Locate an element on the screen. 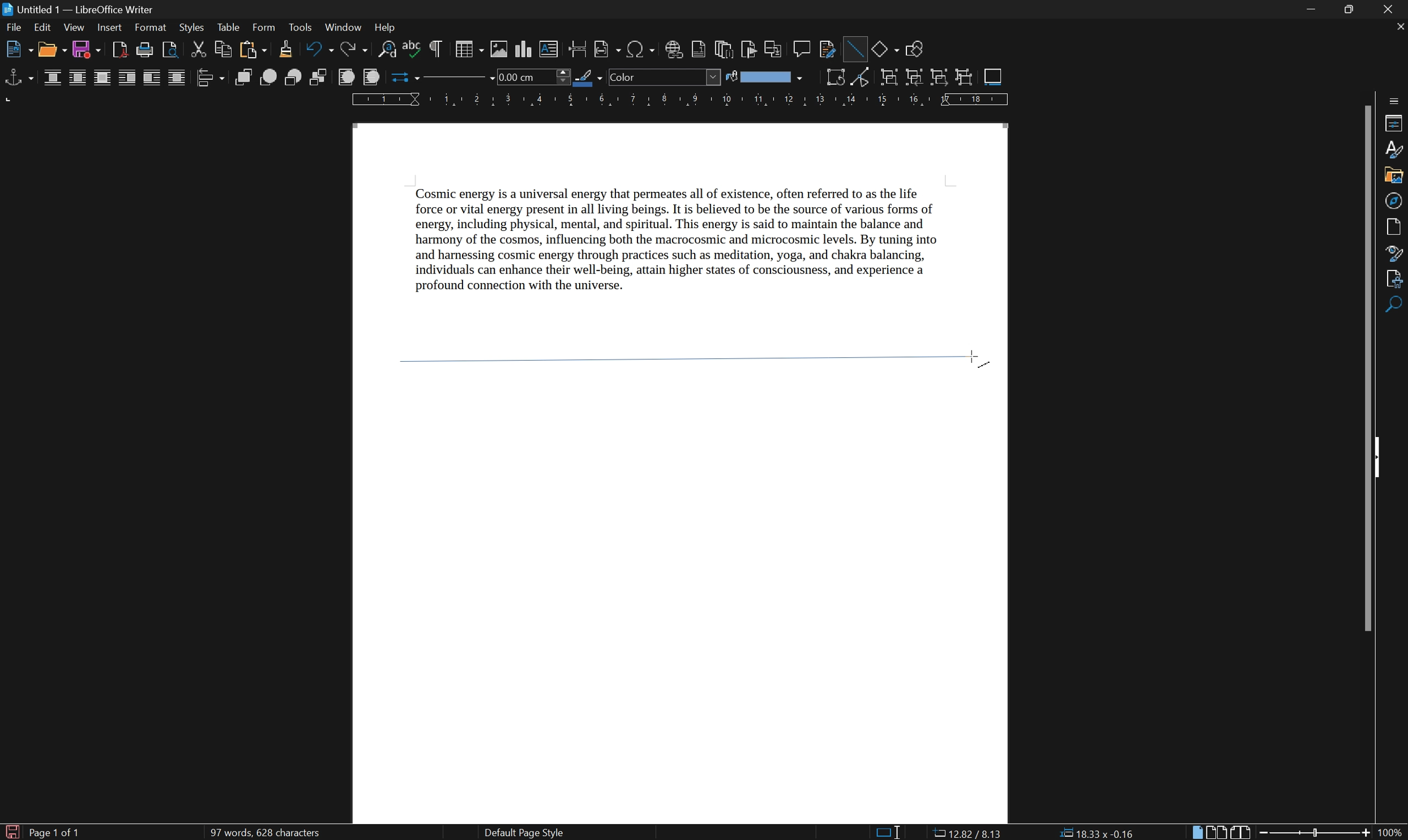  insert is located at coordinates (109, 28).